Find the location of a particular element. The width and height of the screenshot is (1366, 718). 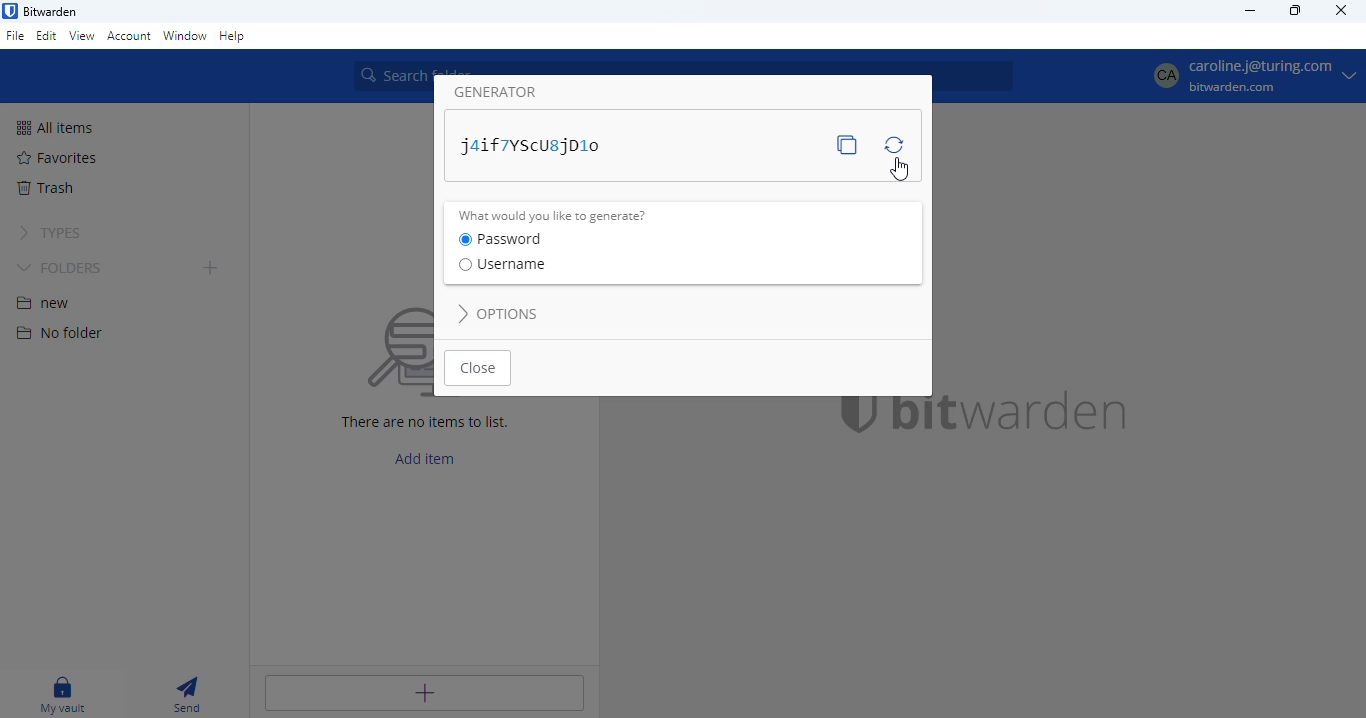

what would you like to generate? is located at coordinates (552, 216).